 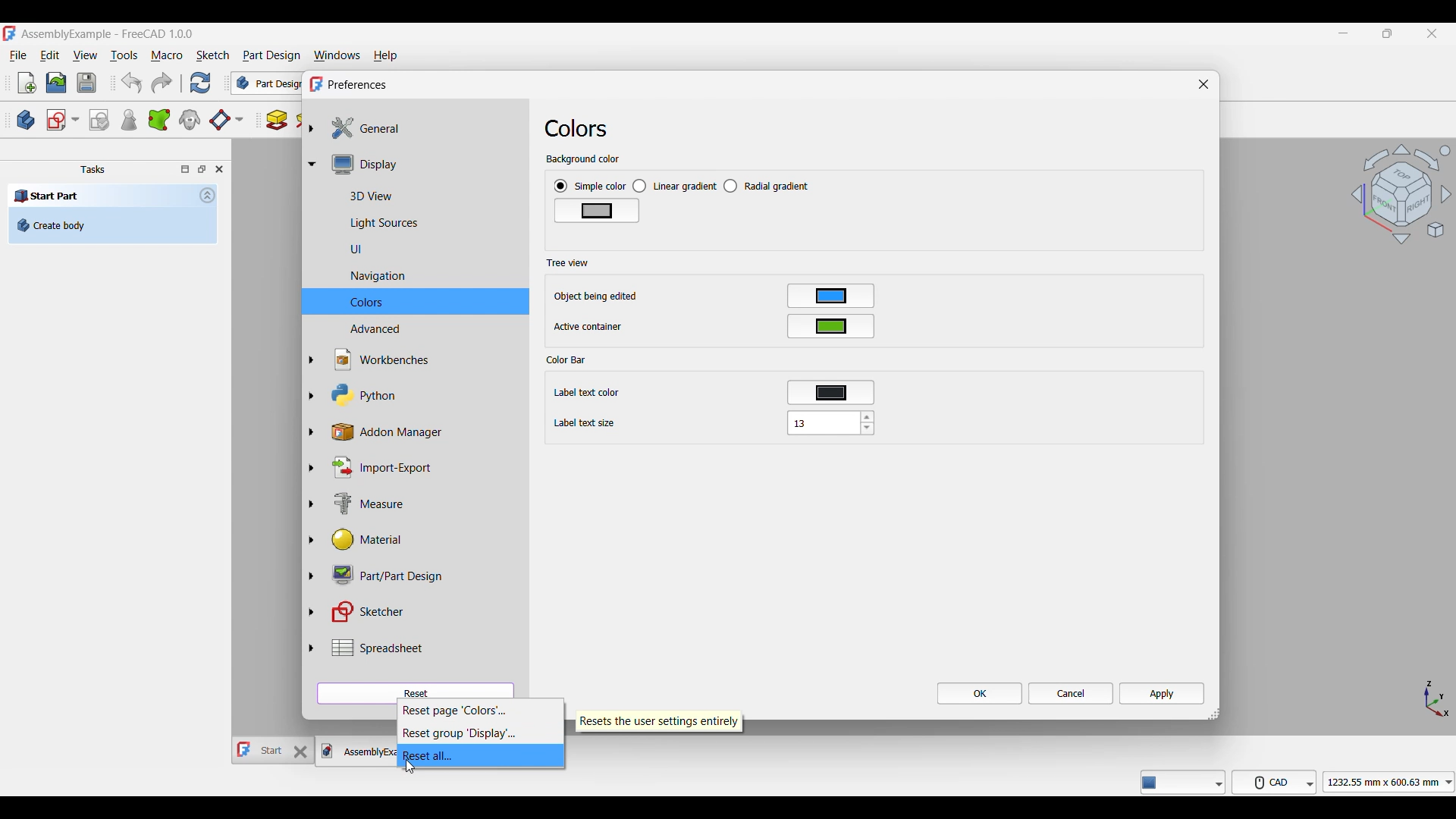 I want to click on Canvas dimension options, so click(x=1389, y=782).